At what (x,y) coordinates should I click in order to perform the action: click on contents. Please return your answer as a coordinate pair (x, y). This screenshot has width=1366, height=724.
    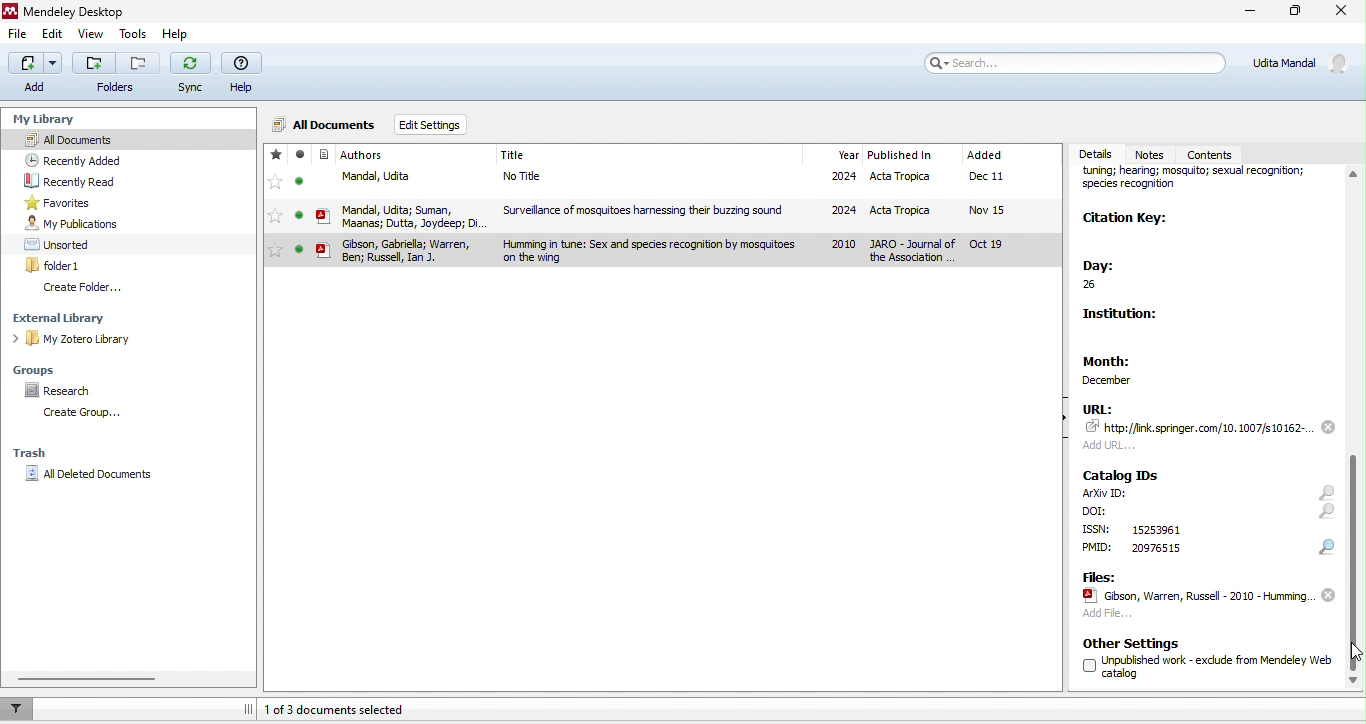
    Looking at the image, I should click on (1219, 152).